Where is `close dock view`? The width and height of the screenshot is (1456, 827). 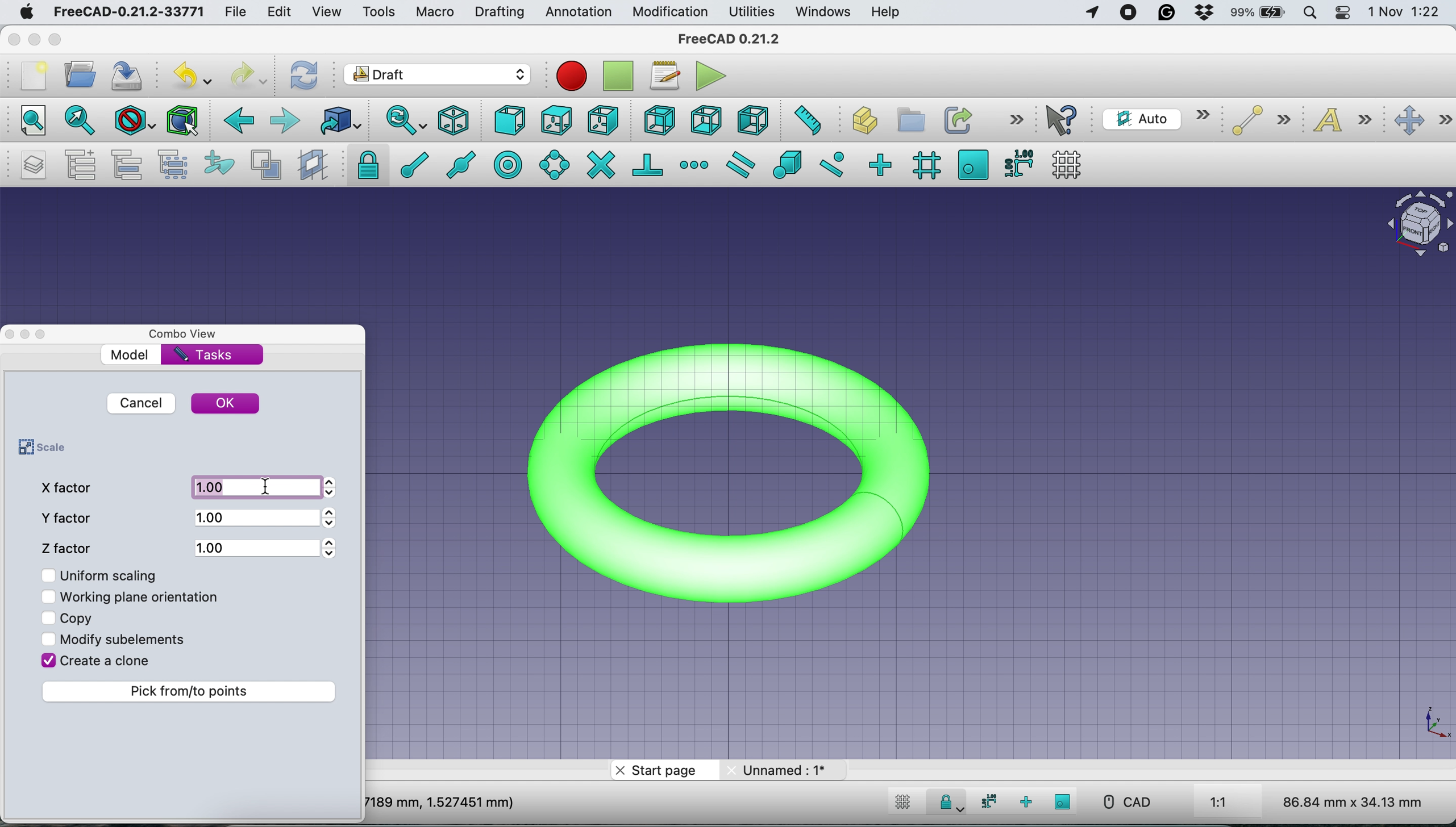
close dock view is located at coordinates (9, 335).